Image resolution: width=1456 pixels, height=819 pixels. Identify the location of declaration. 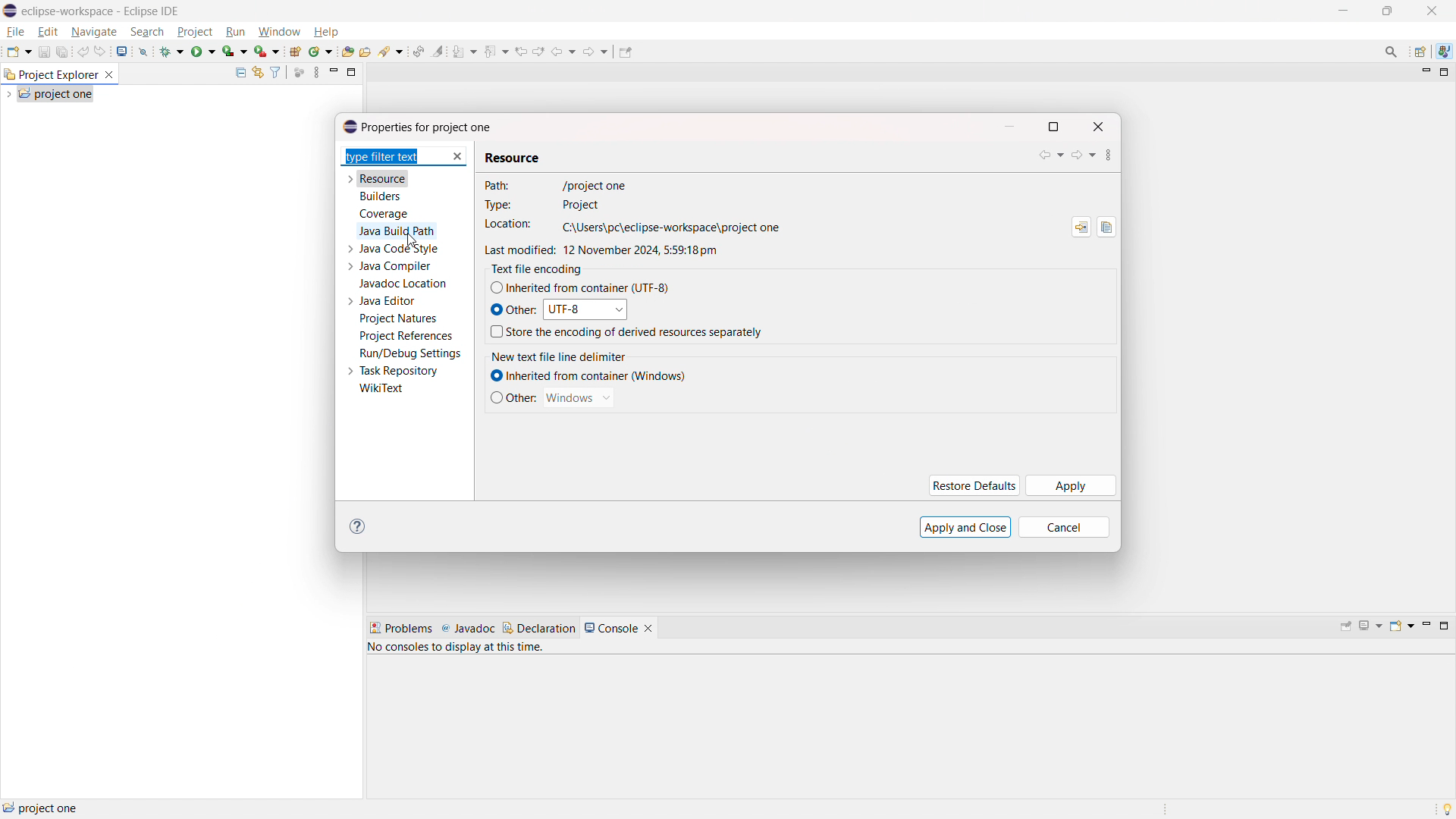
(539, 628).